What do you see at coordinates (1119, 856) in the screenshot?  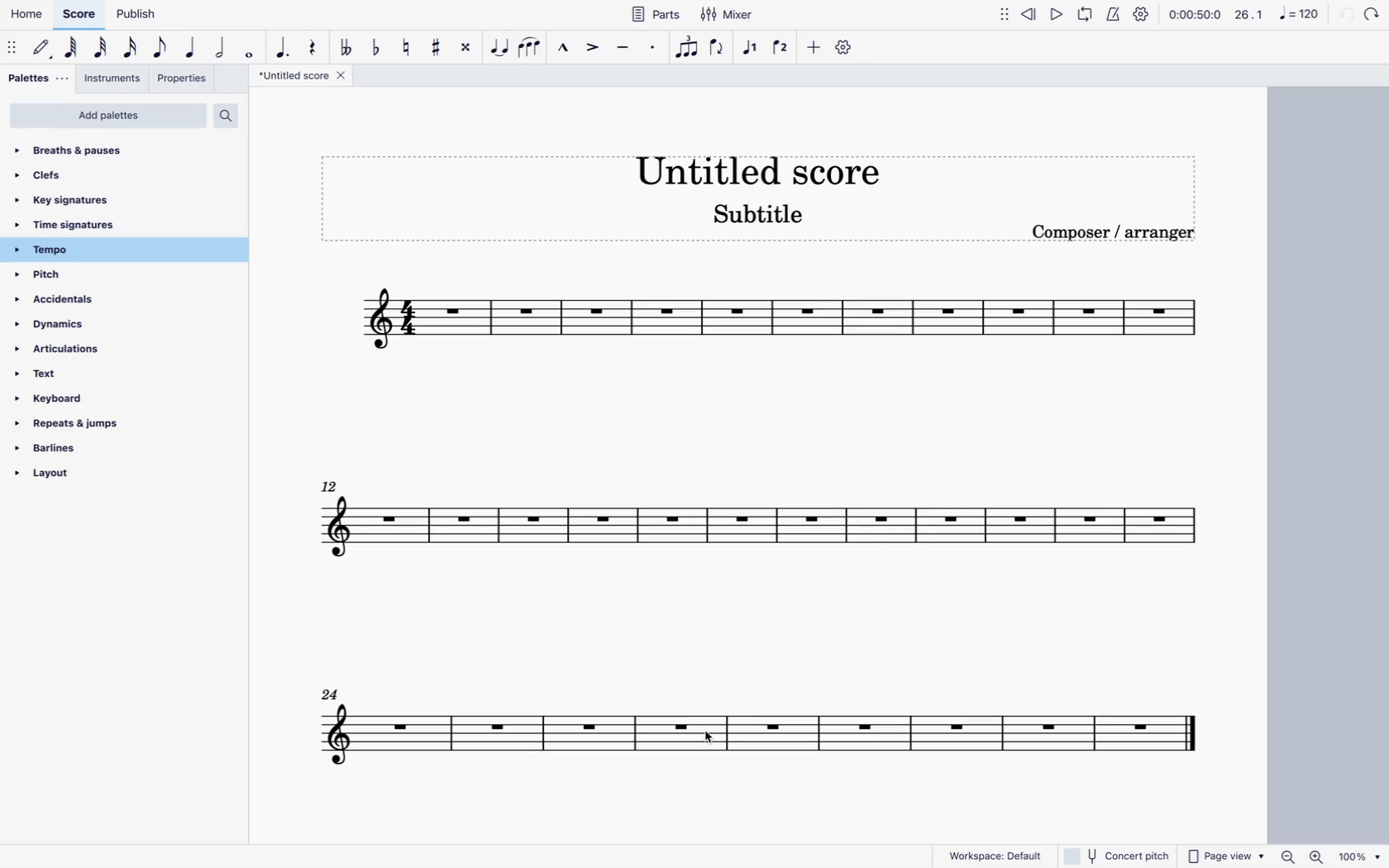 I see `concert pitch` at bounding box center [1119, 856].